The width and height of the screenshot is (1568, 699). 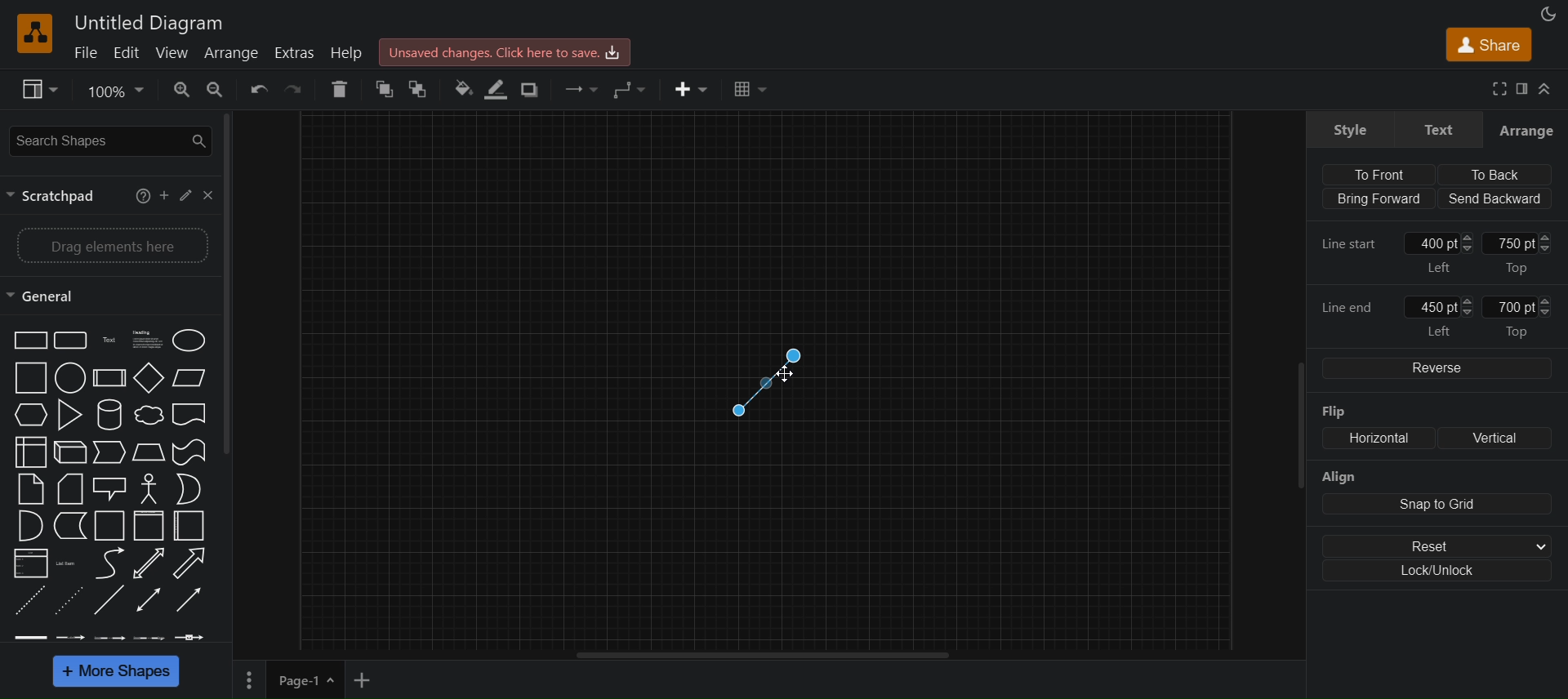 What do you see at coordinates (1374, 172) in the screenshot?
I see `to front` at bounding box center [1374, 172].